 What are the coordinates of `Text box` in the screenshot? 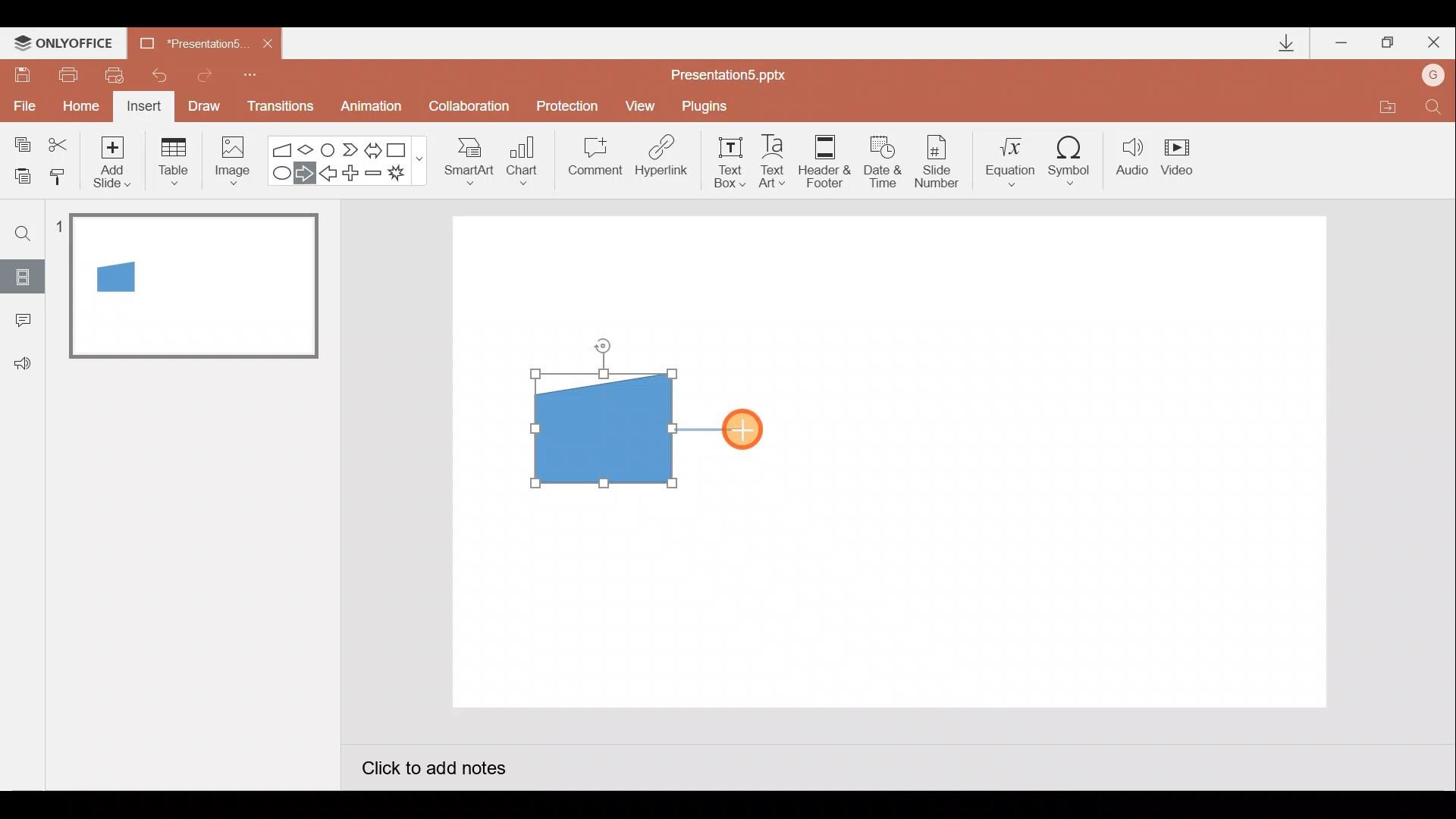 It's located at (725, 160).